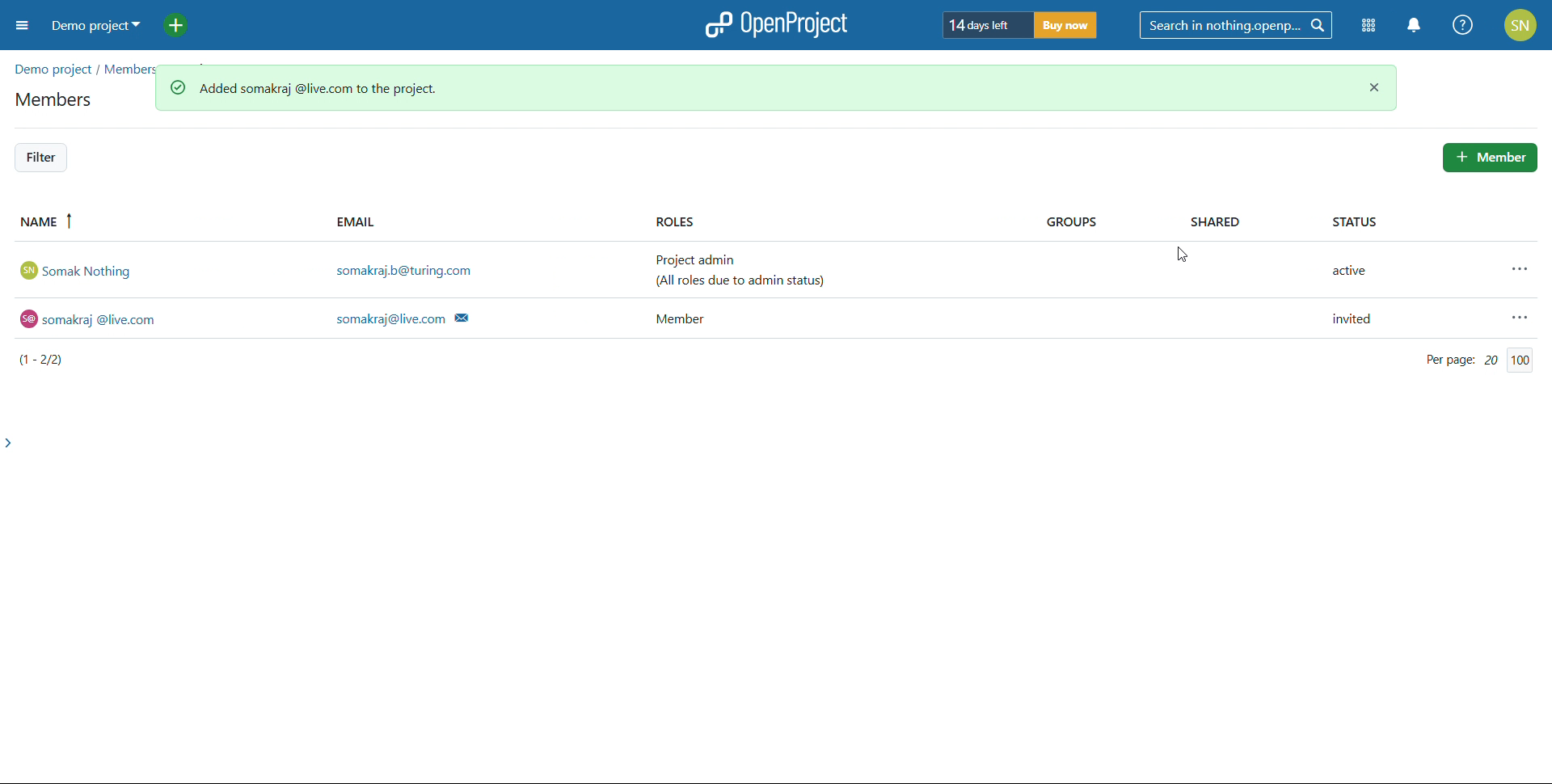 The width and height of the screenshot is (1552, 784). I want to click on somakraj.b@turing.com, so click(403, 269).